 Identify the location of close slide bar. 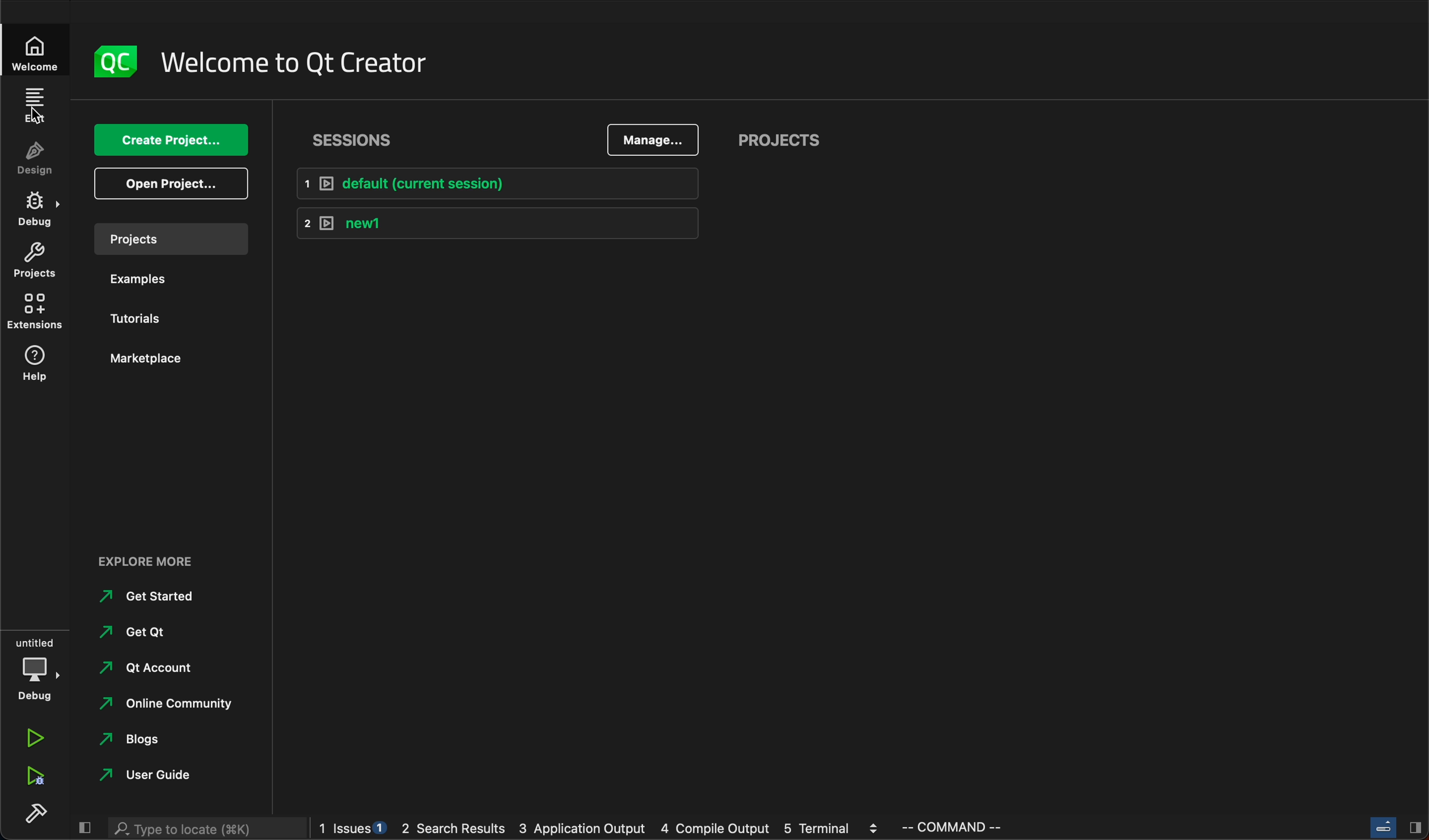
(83, 829).